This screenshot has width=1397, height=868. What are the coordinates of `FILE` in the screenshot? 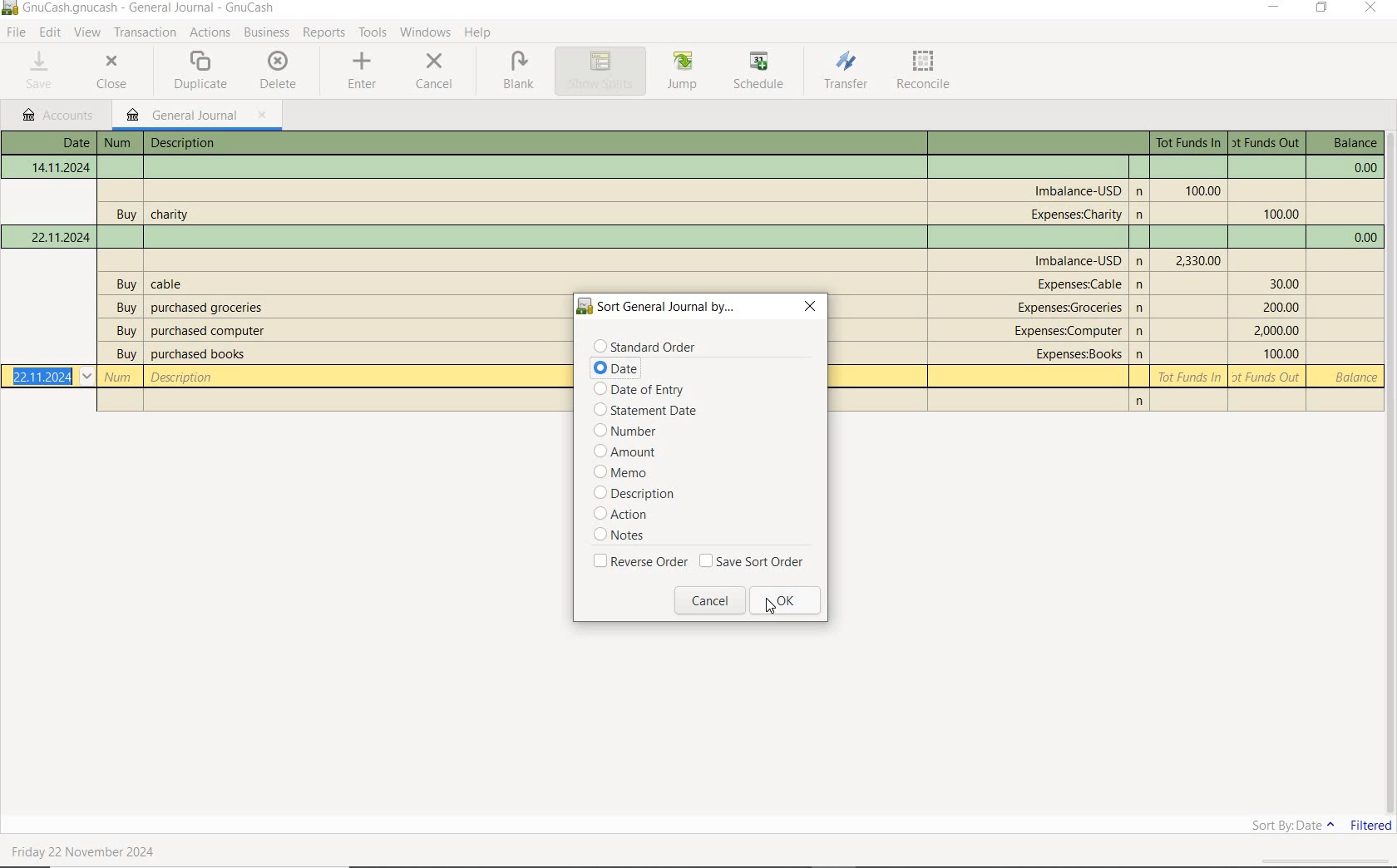 It's located at (19, 33).